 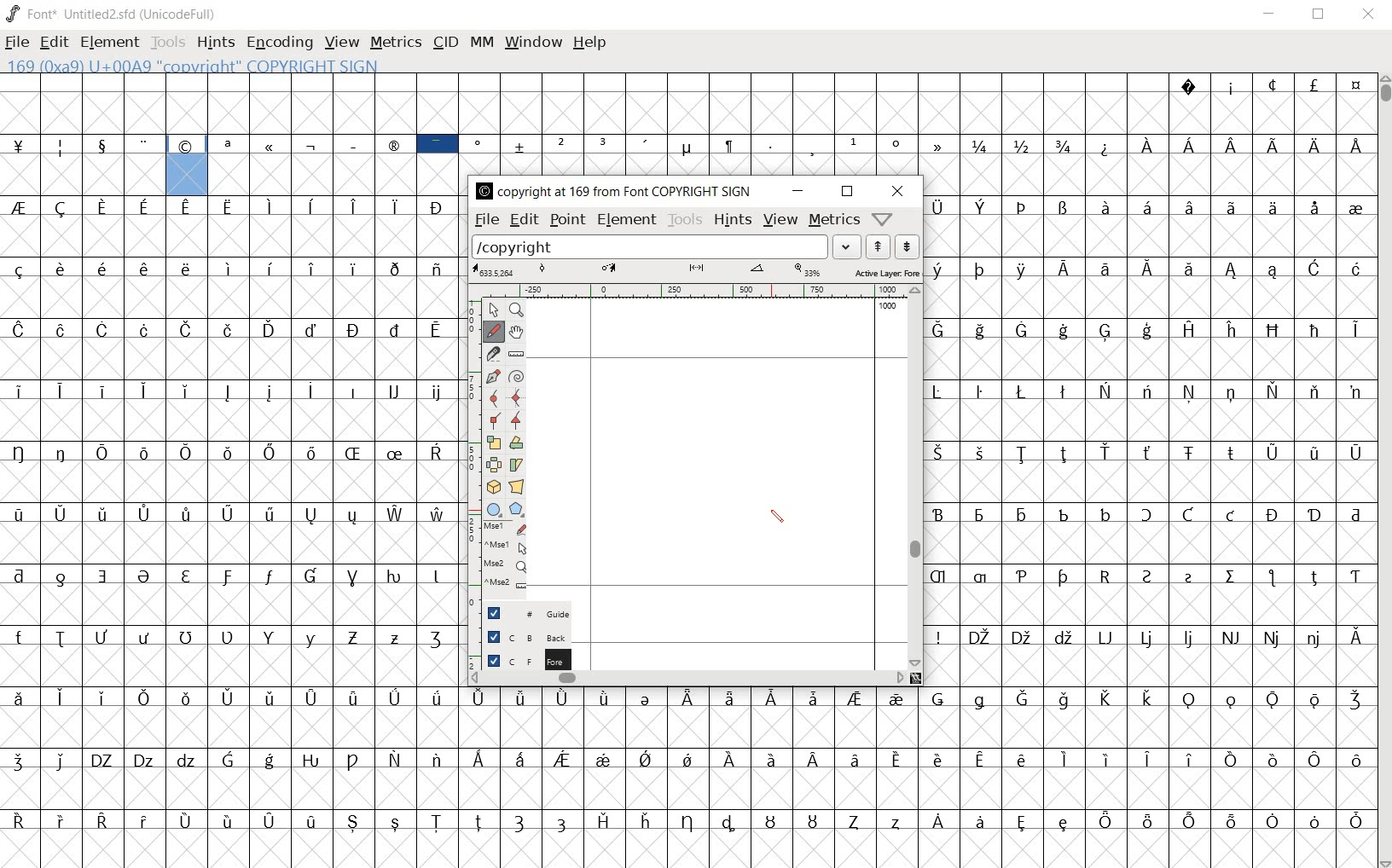 What do you see at coordinates (1269, 14) in the screenshot?
I see `minimize` at bounding box center [1269, 14].